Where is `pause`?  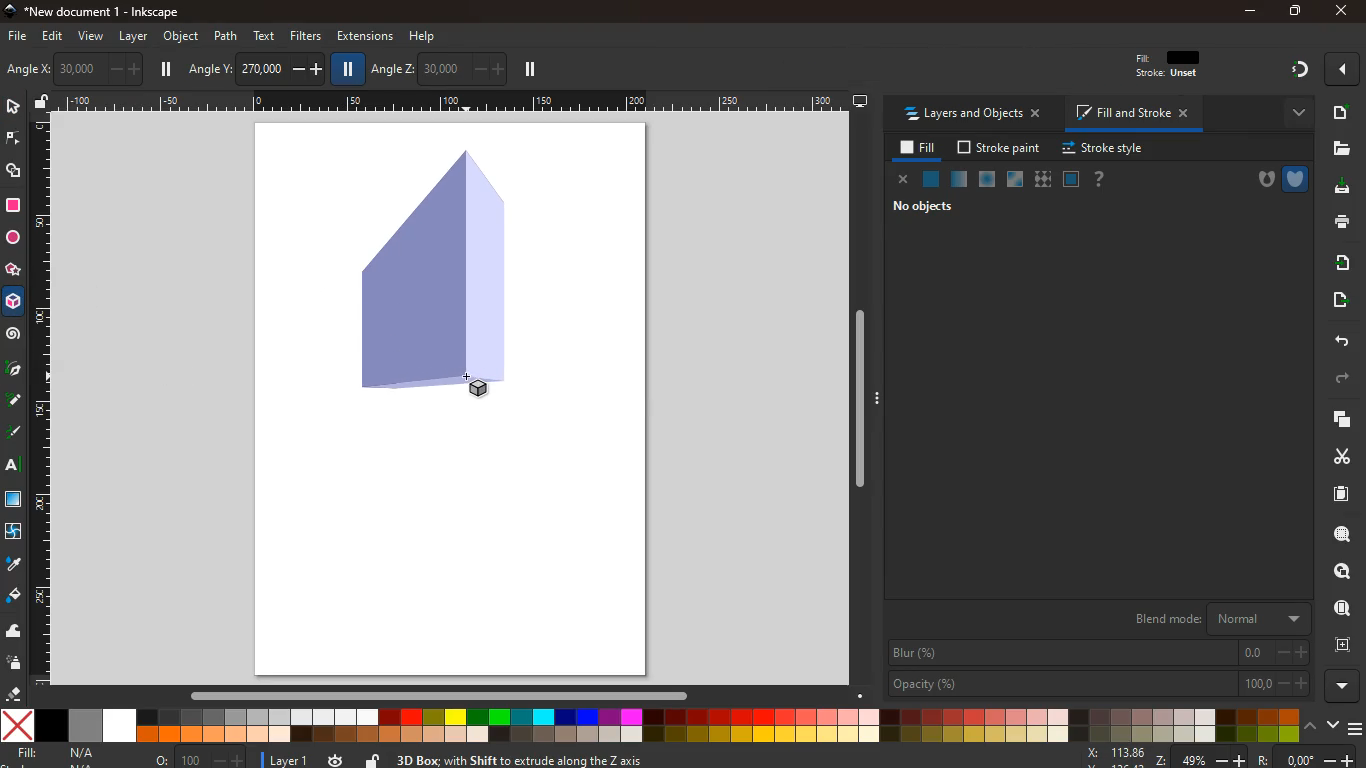 pause is located at coordinates (168, 69).